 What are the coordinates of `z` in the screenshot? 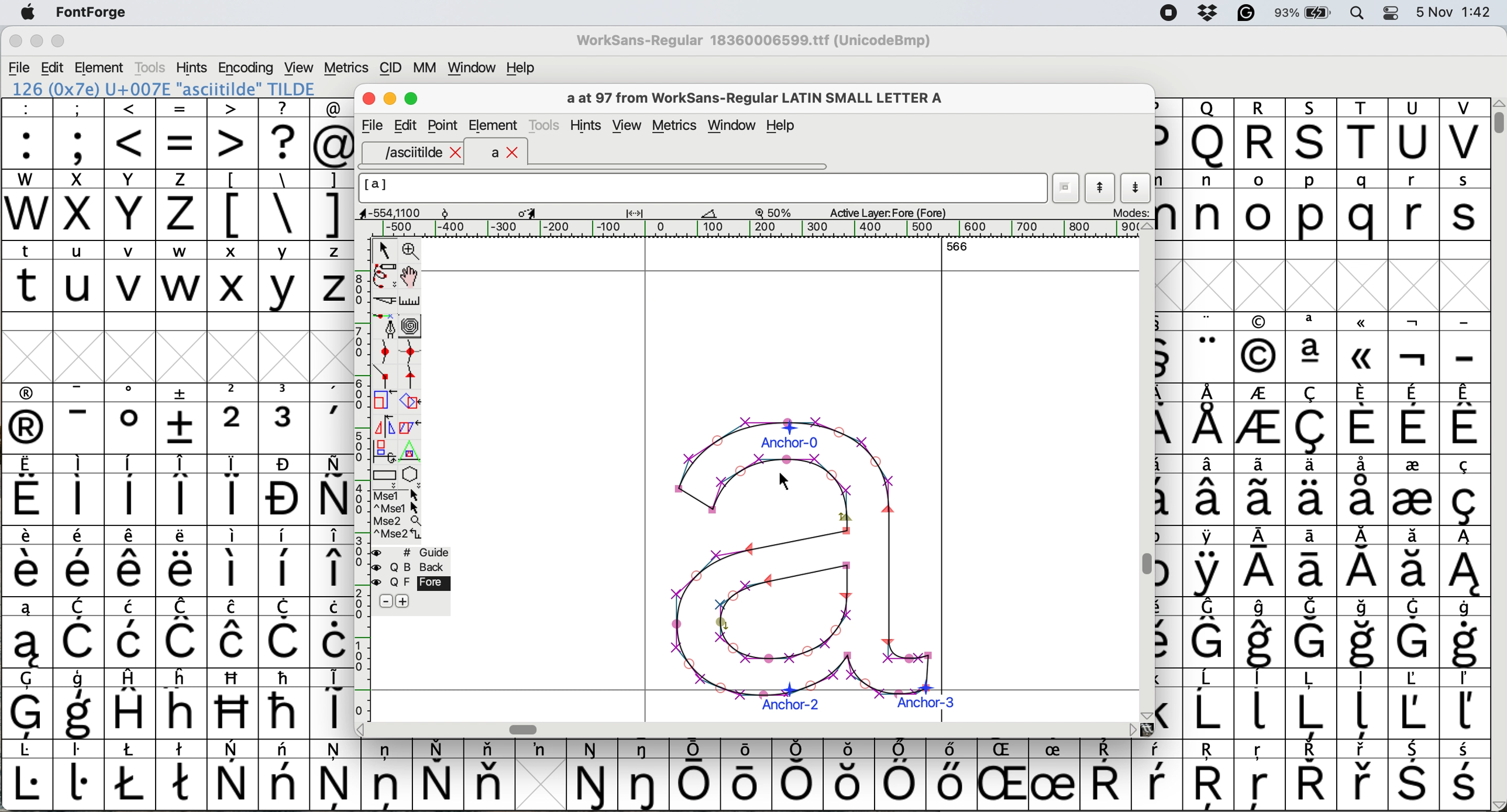 It's located at (332, 276).